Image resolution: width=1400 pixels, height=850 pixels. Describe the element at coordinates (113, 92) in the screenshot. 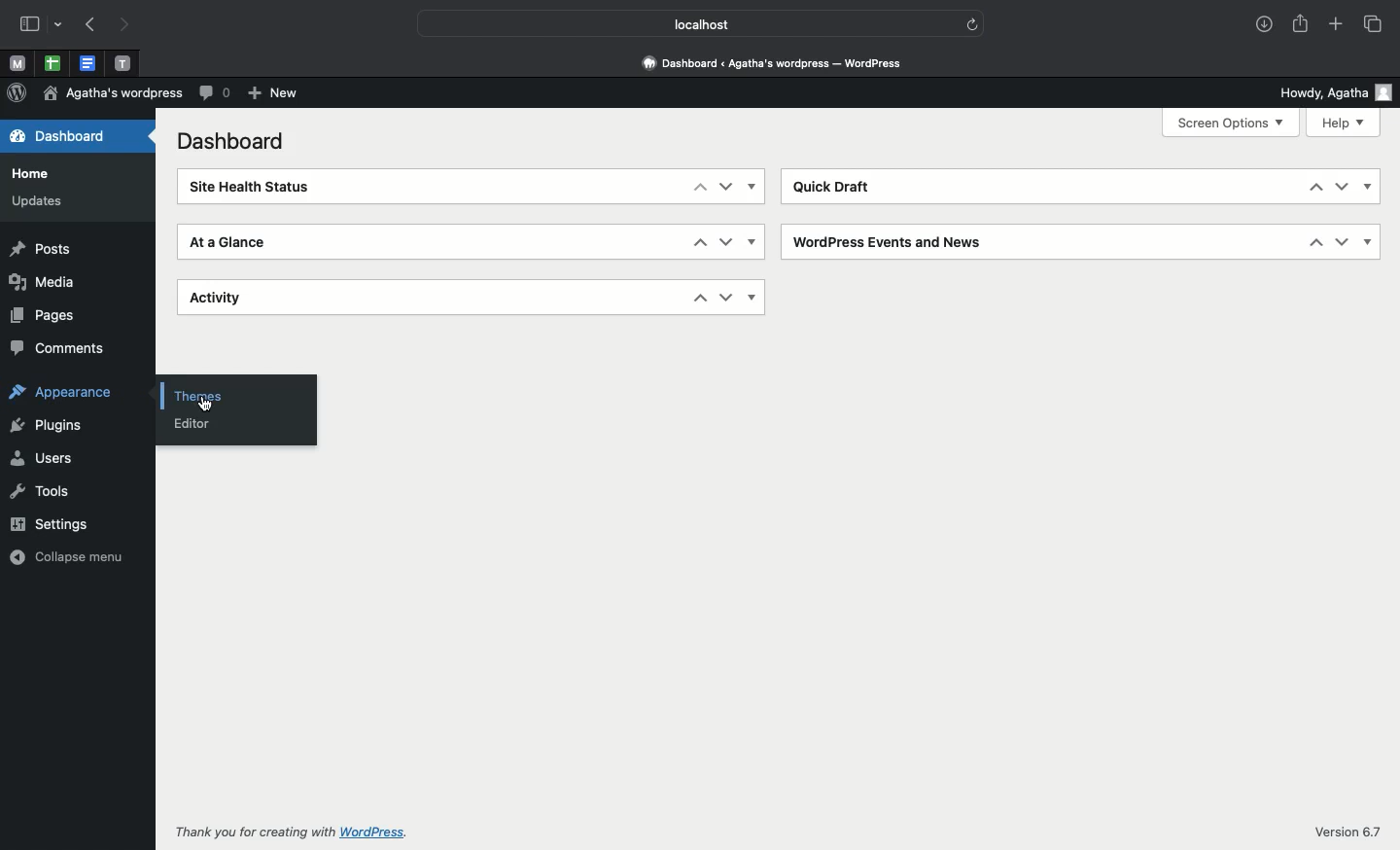

I see `Wordpress name` at that location.